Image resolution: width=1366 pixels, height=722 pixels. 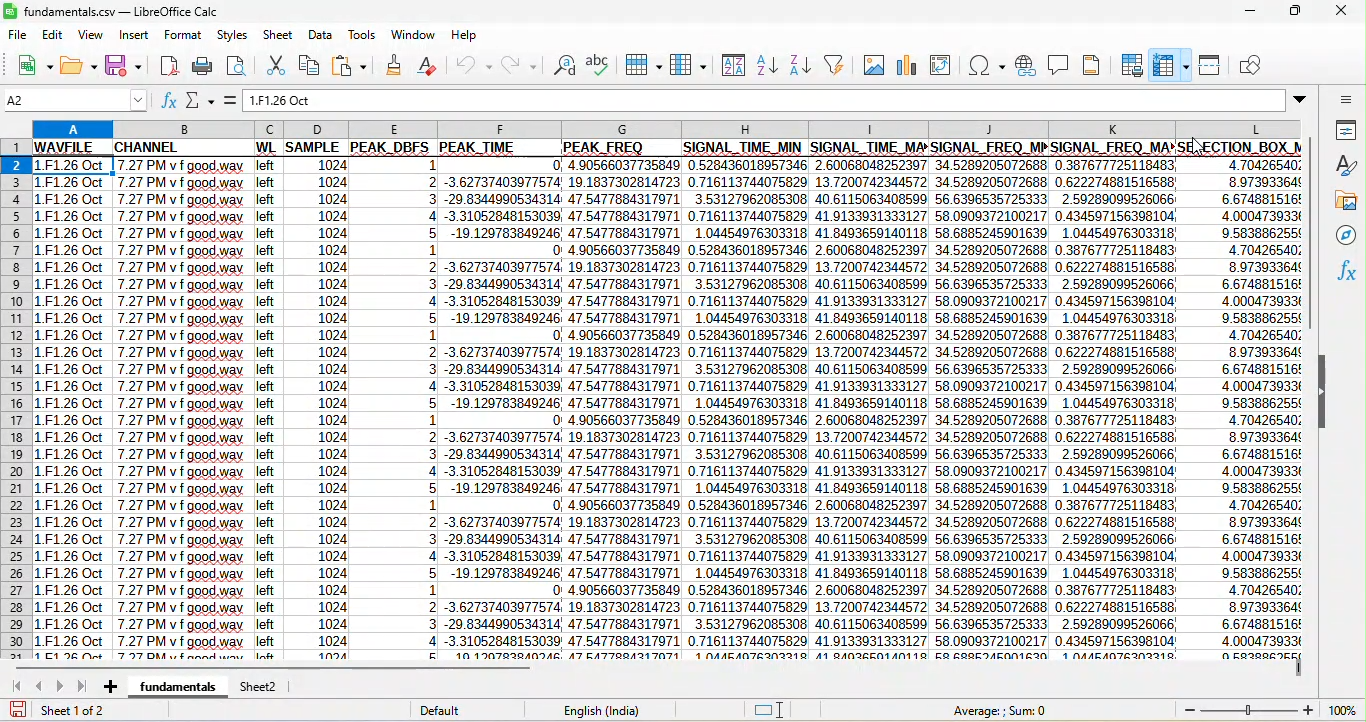 What do you see at coordinates (1346, 201) in the screenshot?
I see `gallary` at bounding box center [1346, 201].